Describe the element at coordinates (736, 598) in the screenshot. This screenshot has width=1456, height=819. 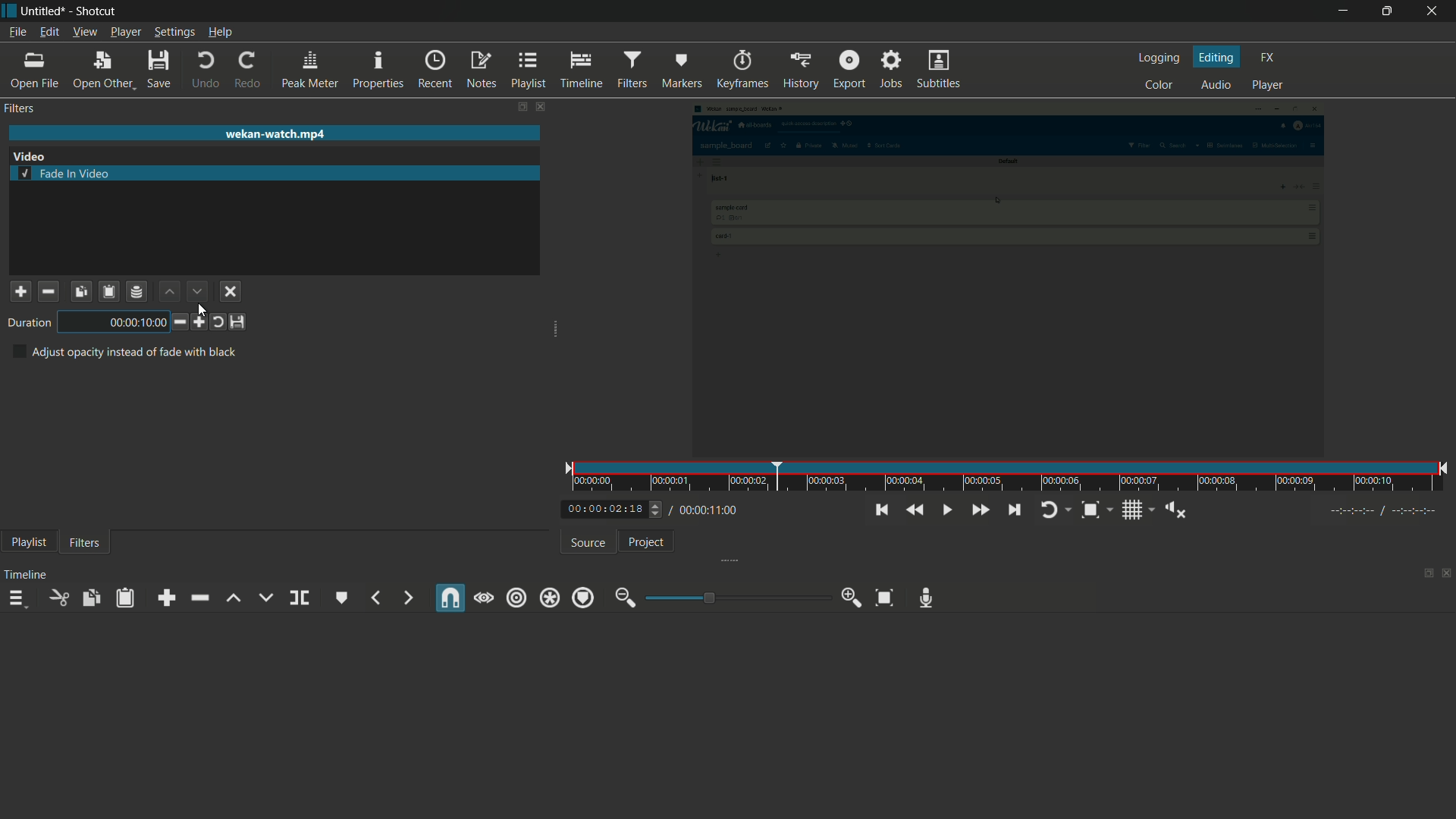
I see `adjustment bar` at that location.